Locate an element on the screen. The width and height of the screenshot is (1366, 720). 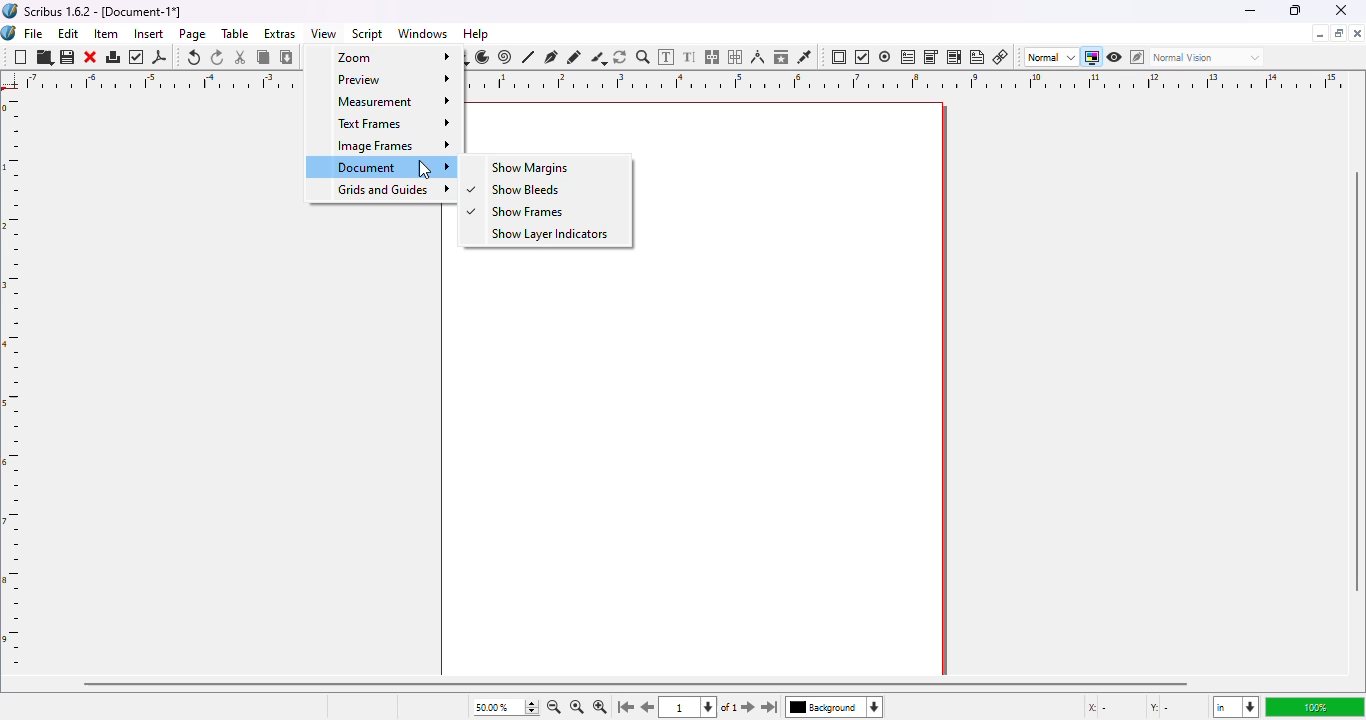
go to the previous pagr is located at coordinates (649, 708).